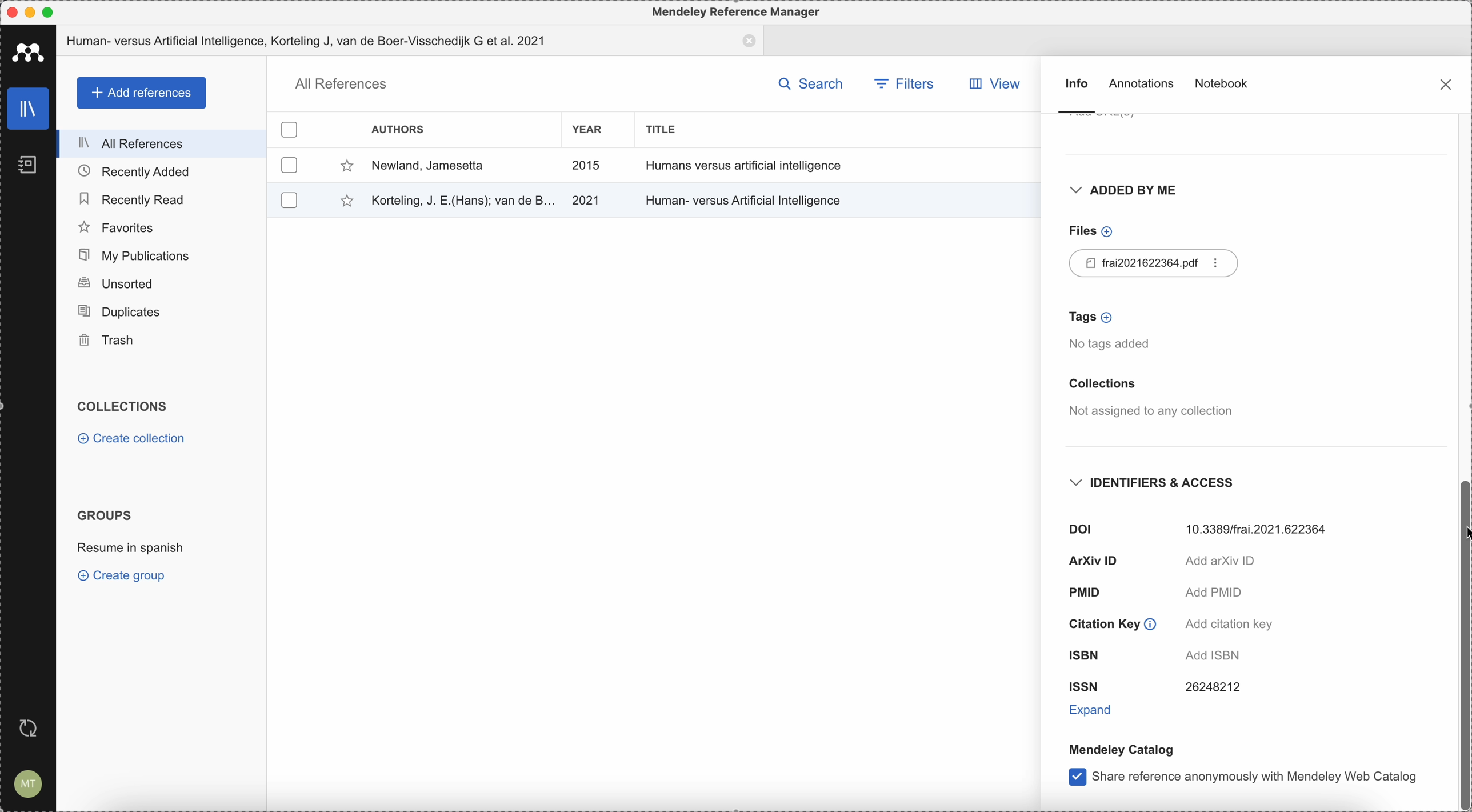  What do you see at coordinates (587, 166) in the screenshot?
I see `2015` at bounding box center [587, 166].